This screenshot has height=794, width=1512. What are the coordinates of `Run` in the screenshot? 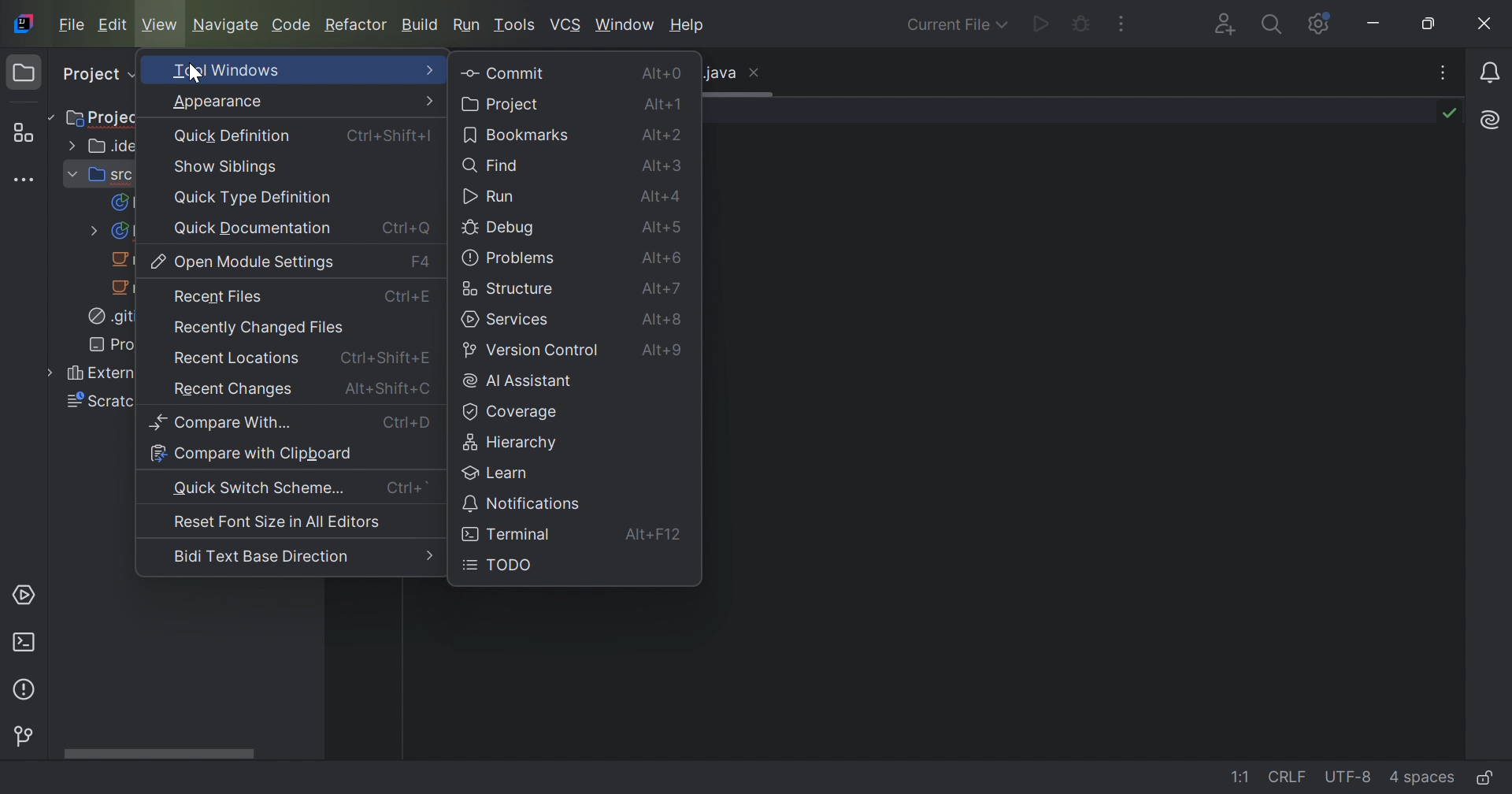 It's located at (467, 24).